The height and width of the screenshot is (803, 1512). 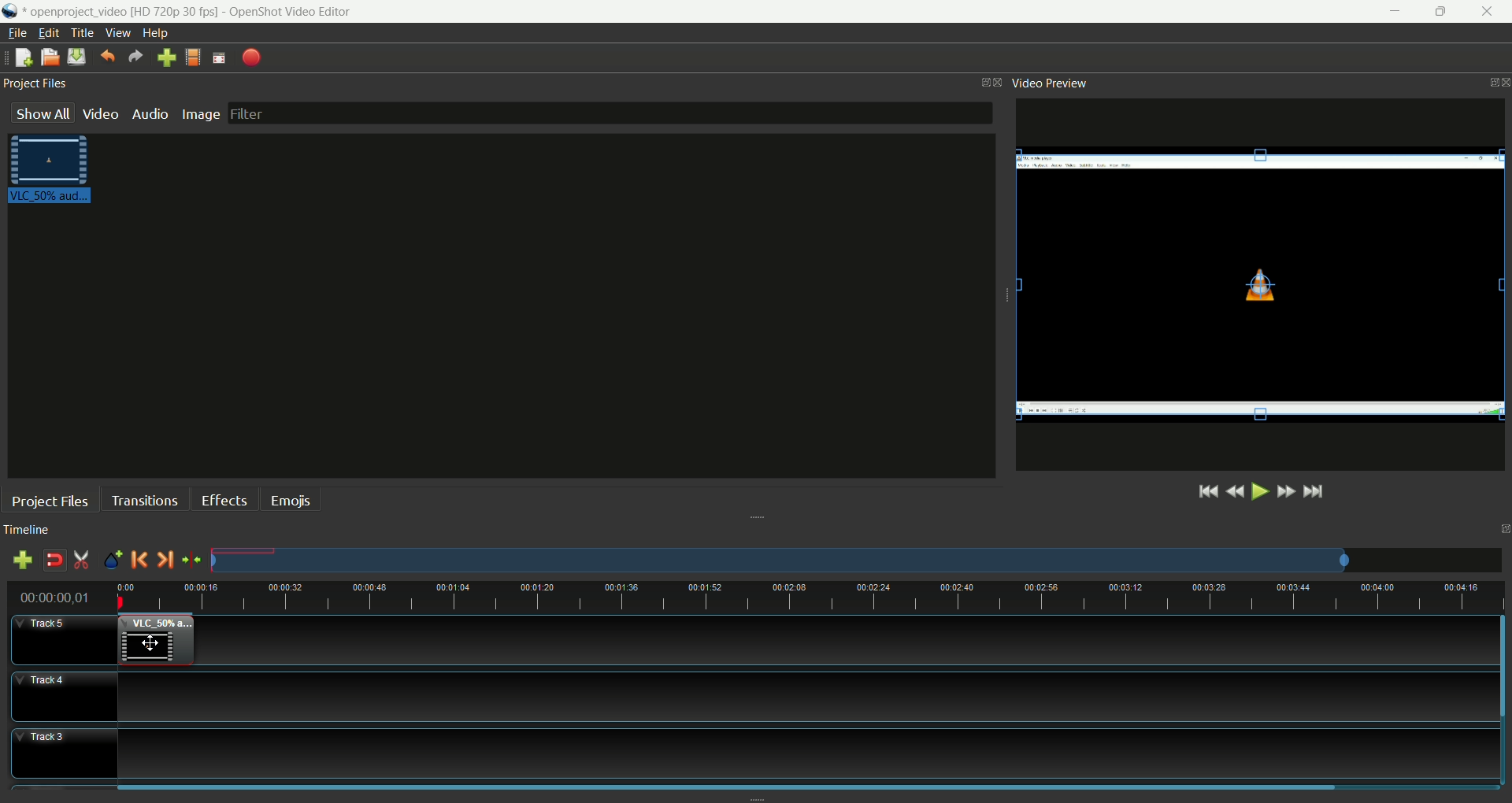 What do you see at coordinates (101, 114) in the screenshot?
I see `video` at bounding box center [101, 114].